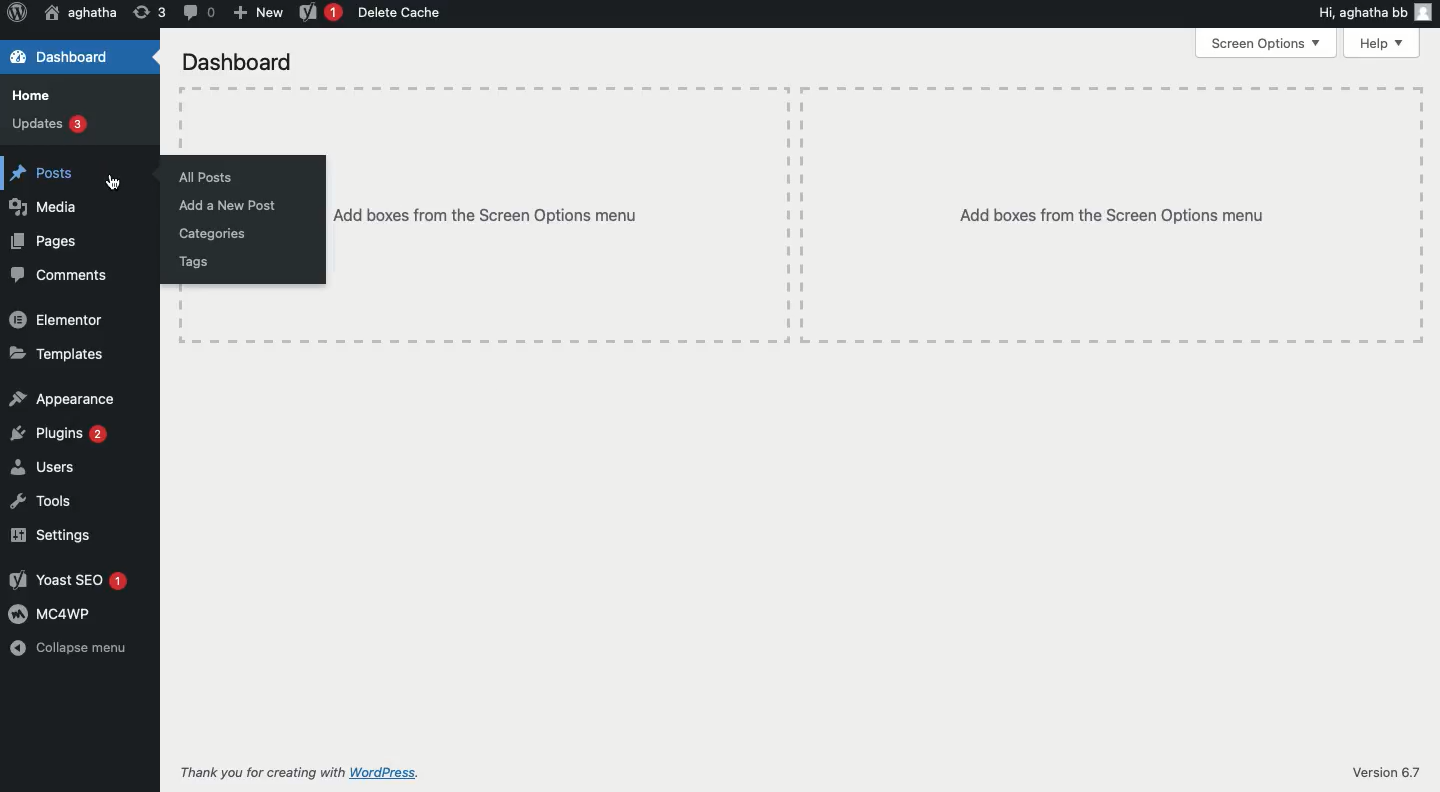 The width and height of the screenshot is (1440, 792). I want to click on Media, so click(41, 207).